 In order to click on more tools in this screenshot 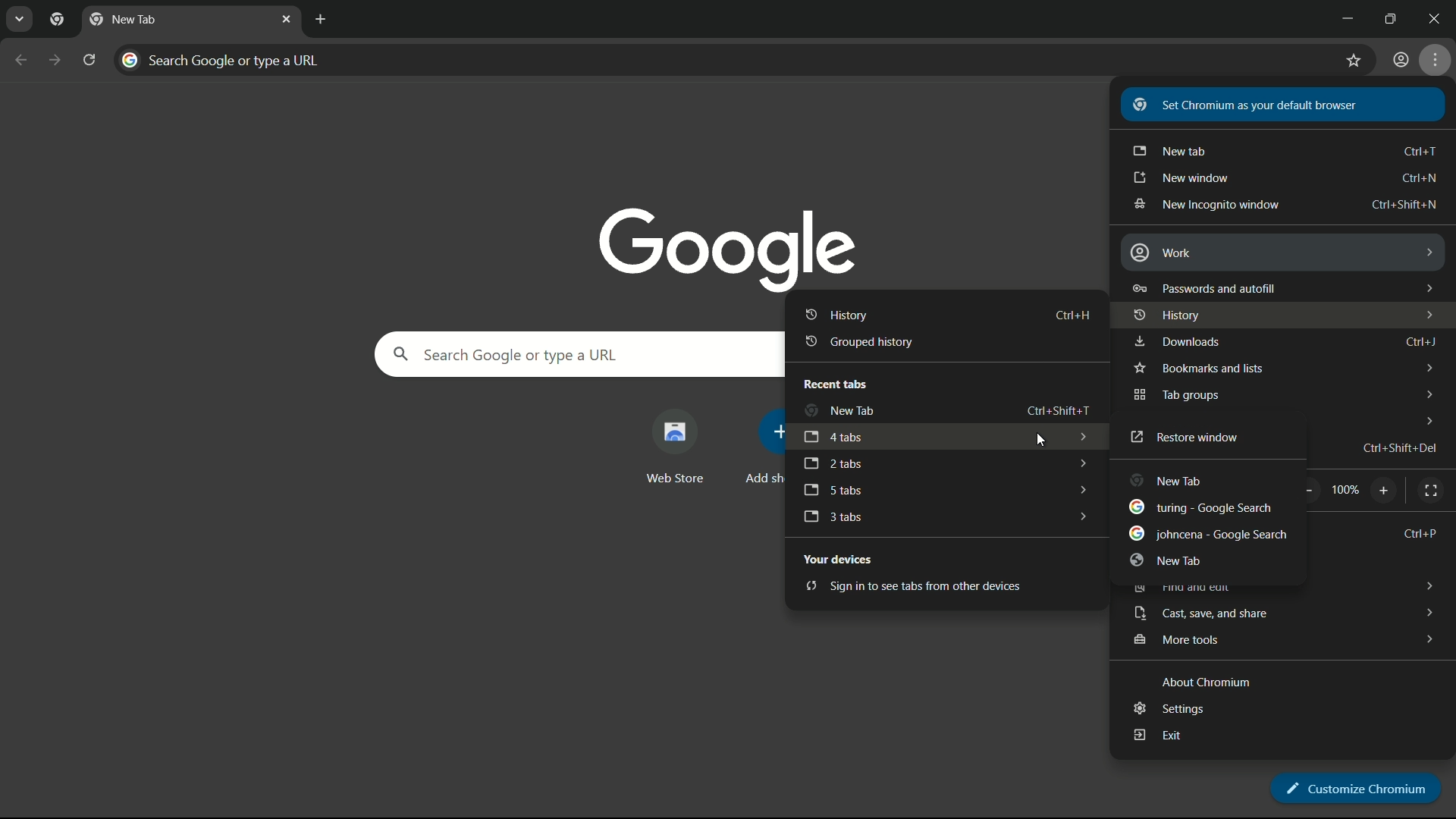, I will do `click(1180, 640)`.